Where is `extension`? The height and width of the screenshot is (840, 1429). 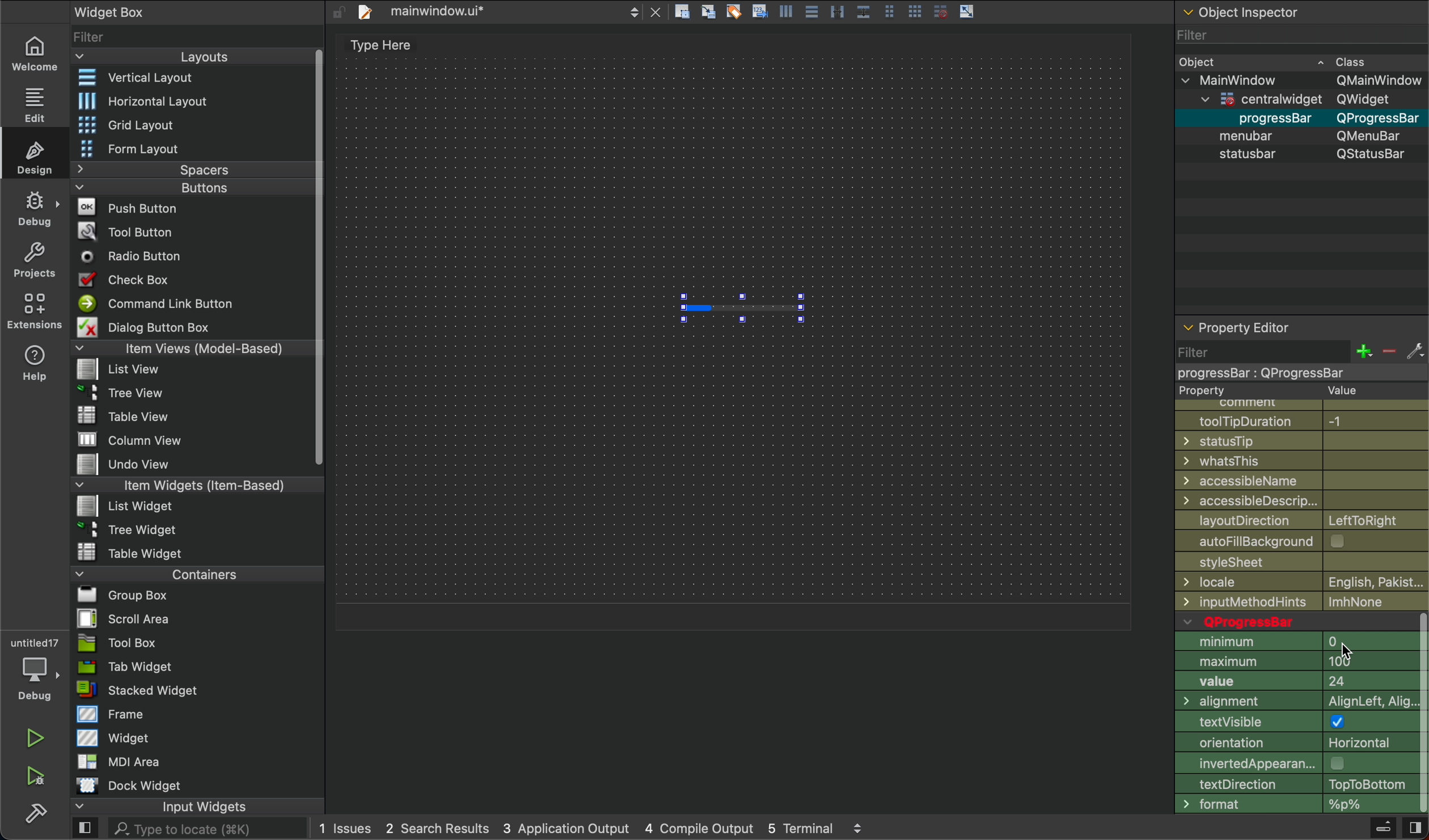 extension is located at coordinates (35, 310).